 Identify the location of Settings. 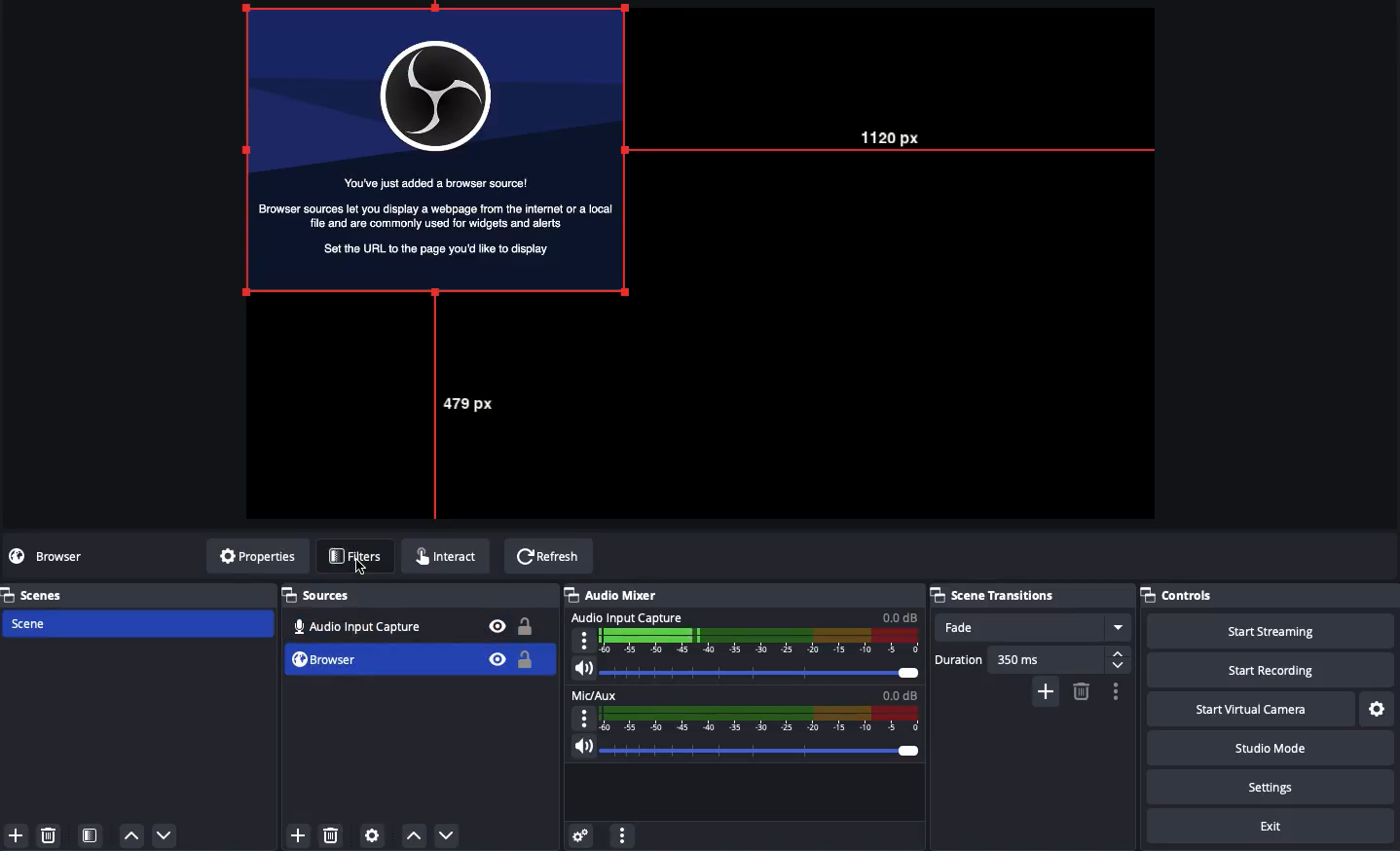
(1376, 710).